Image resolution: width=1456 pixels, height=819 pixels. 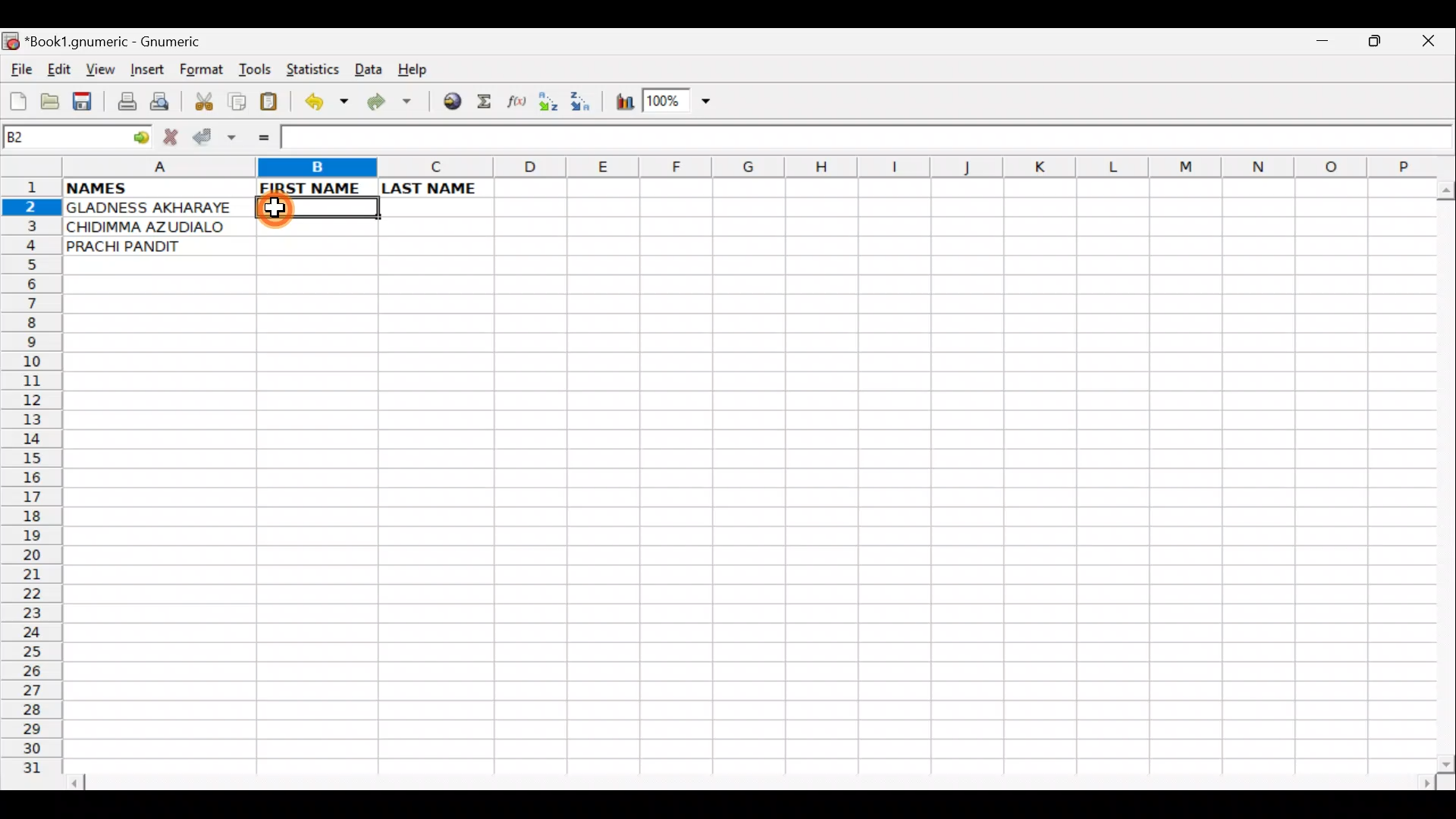 What do you see at coordinates (156, 207) in the screenshot?
I see `GLADNESS AKHARAYE` at bounding box center [156, 207].